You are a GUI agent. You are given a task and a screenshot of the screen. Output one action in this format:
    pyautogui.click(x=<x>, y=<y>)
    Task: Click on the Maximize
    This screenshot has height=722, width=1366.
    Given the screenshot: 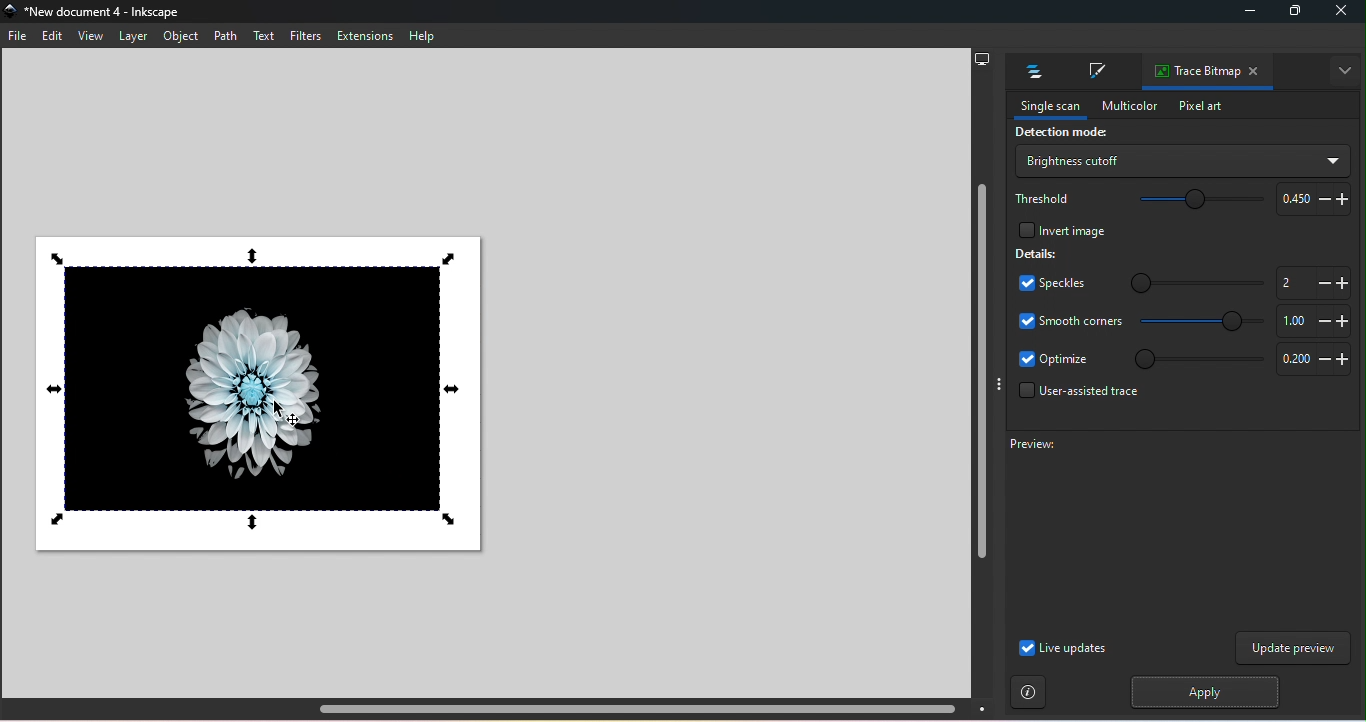 What is the action you would take?
    pyautogui.click(x=1292, y=14)
    